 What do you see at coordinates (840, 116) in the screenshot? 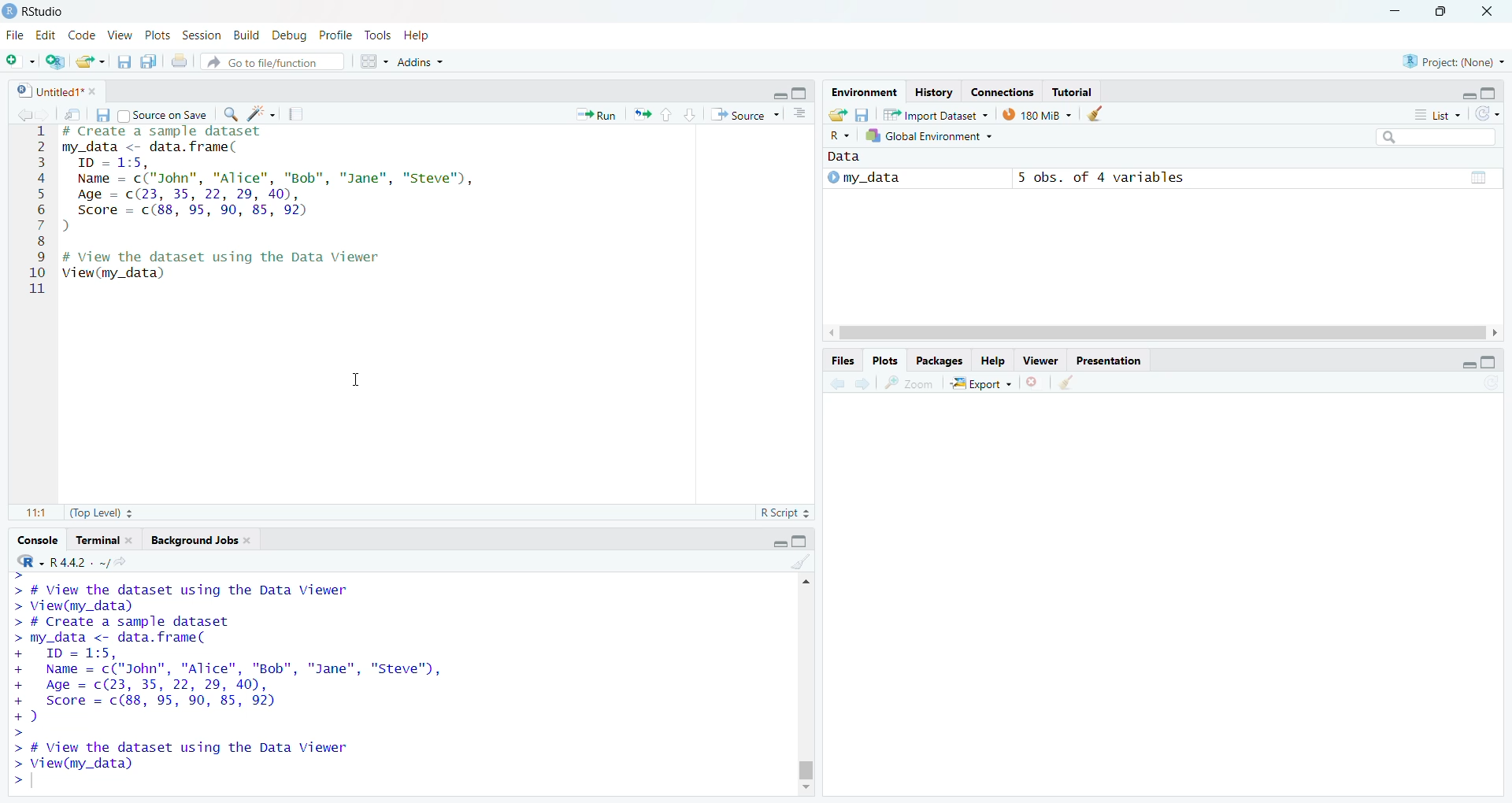
I see `Load workspace` at bounding box center [840, 116].